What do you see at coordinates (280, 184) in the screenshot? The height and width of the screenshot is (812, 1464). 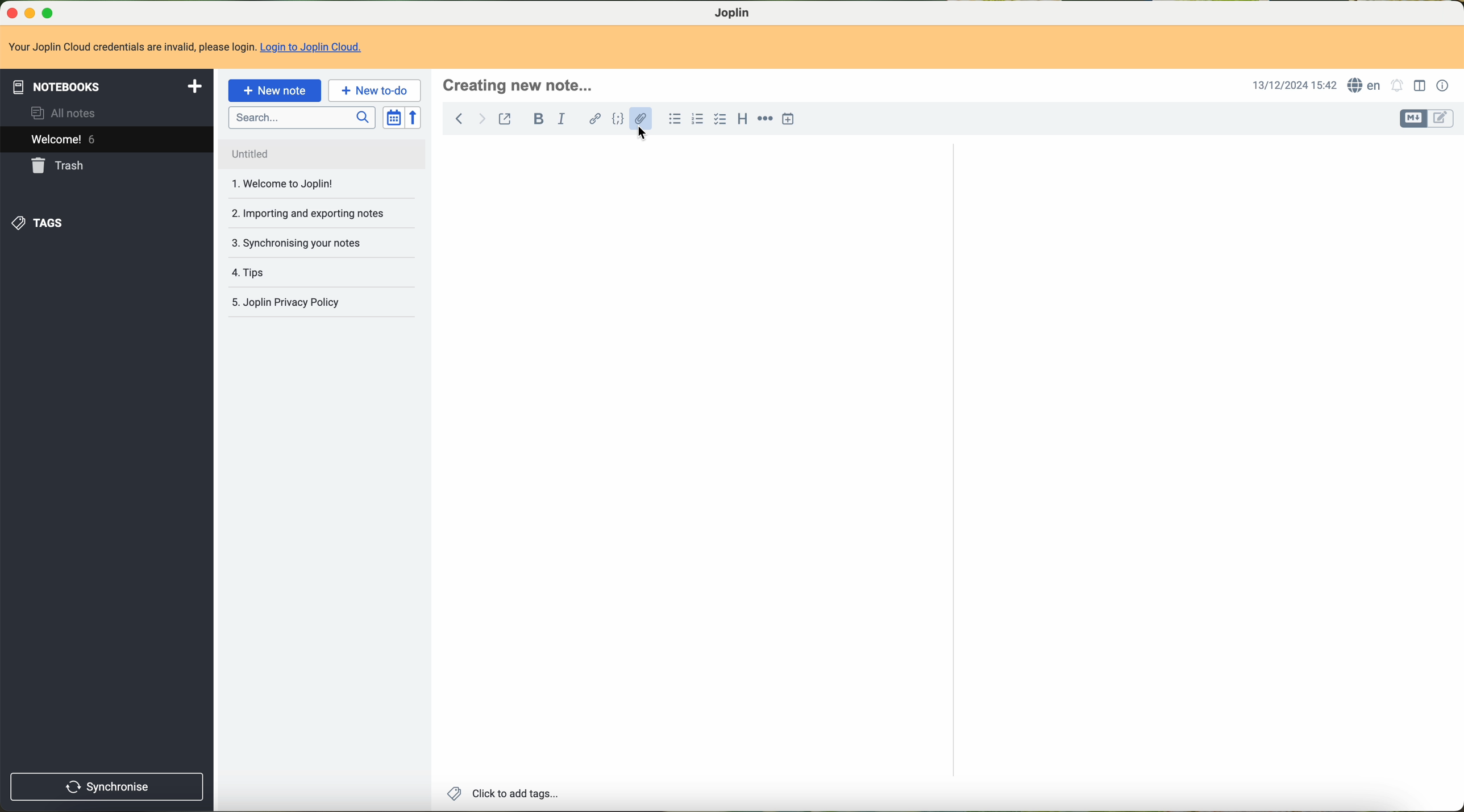 I see `welcome to joplin` at bounding box center [280, 184].